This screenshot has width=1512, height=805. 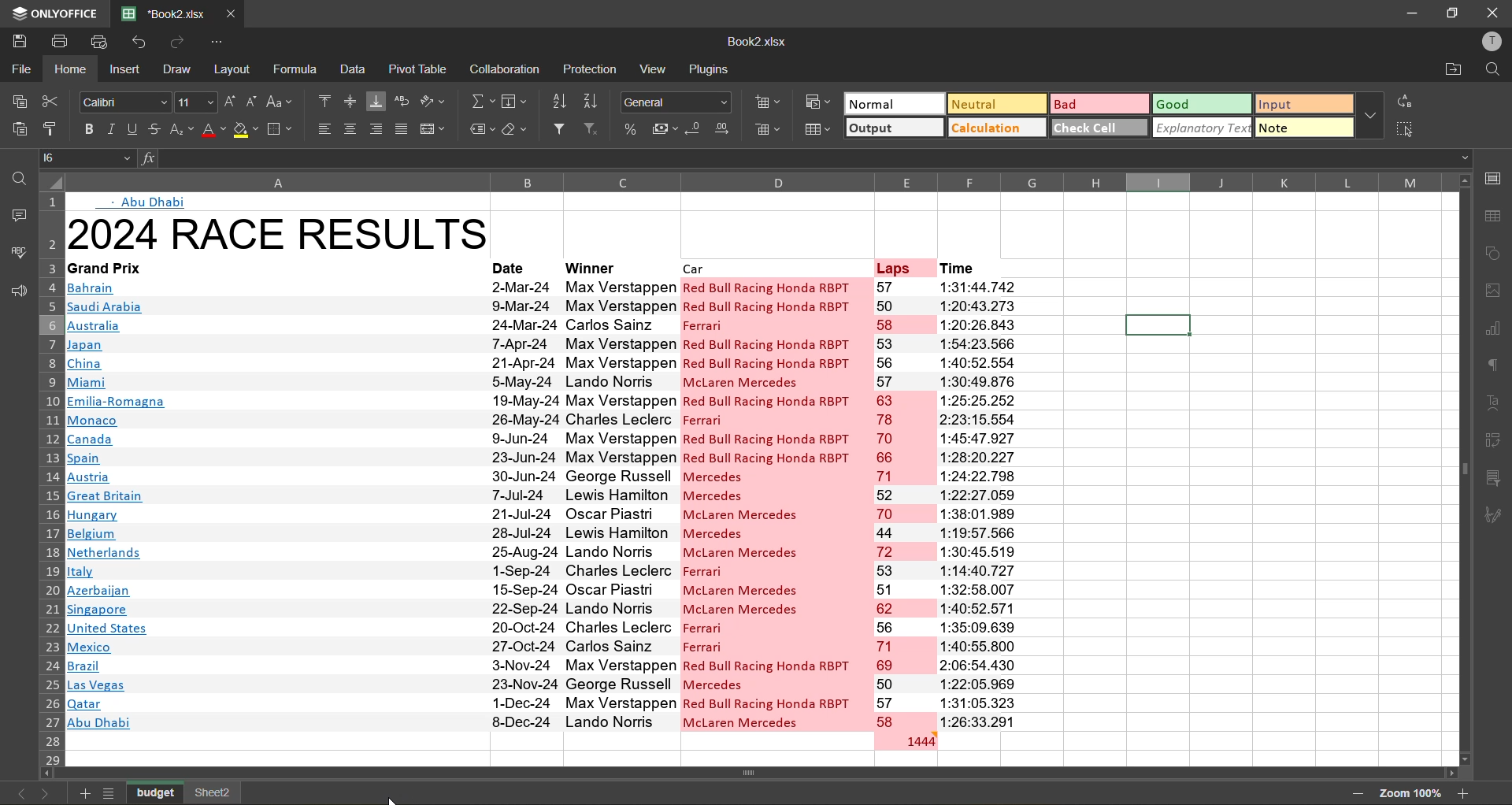 I want to click on laps, so click(x=902, y=266).